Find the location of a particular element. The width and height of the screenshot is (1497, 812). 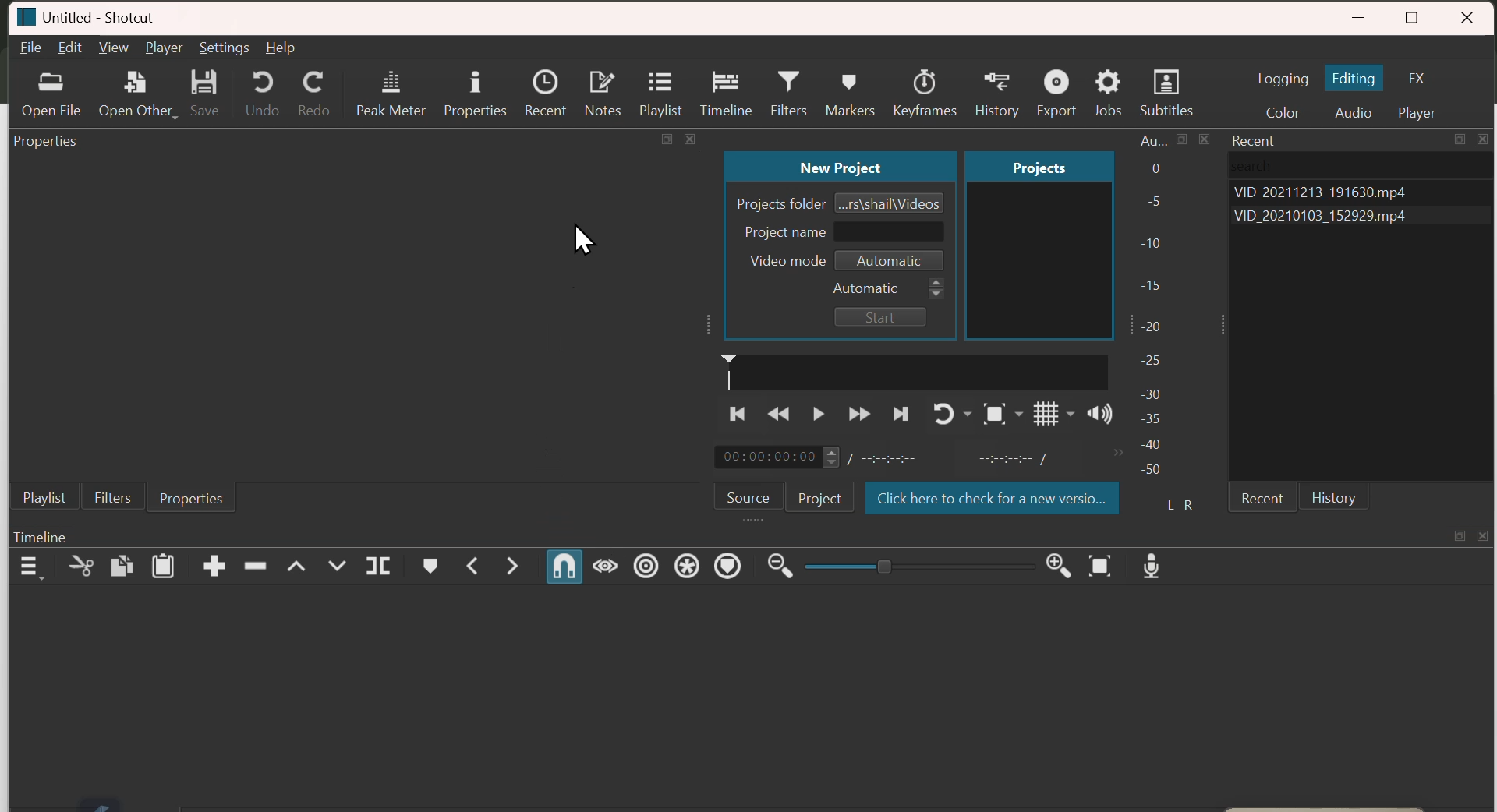

Player is located at coordinates (165, 48).